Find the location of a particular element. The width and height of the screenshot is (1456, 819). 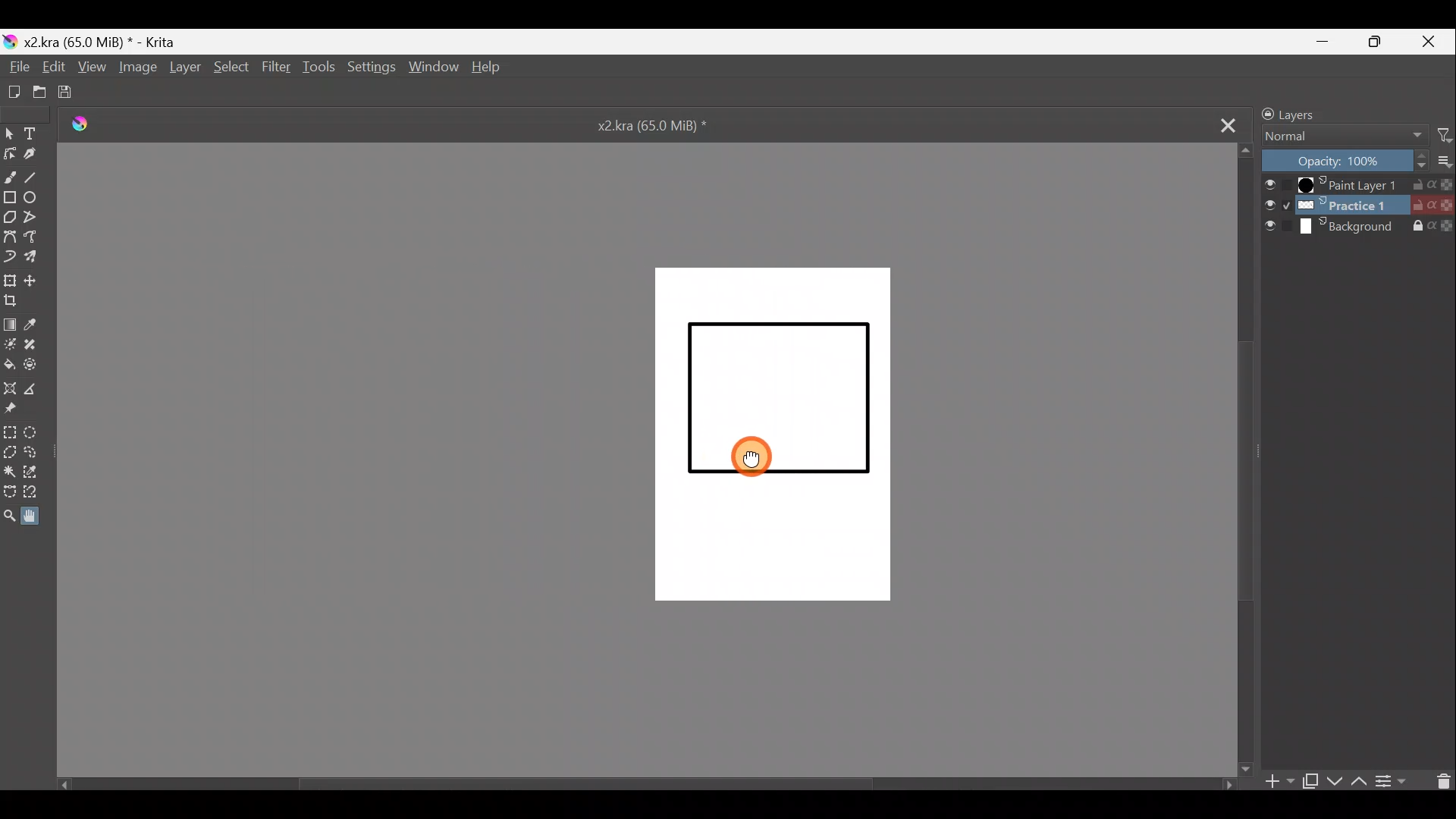

Scroll down is located at coordinates (1247, 459).